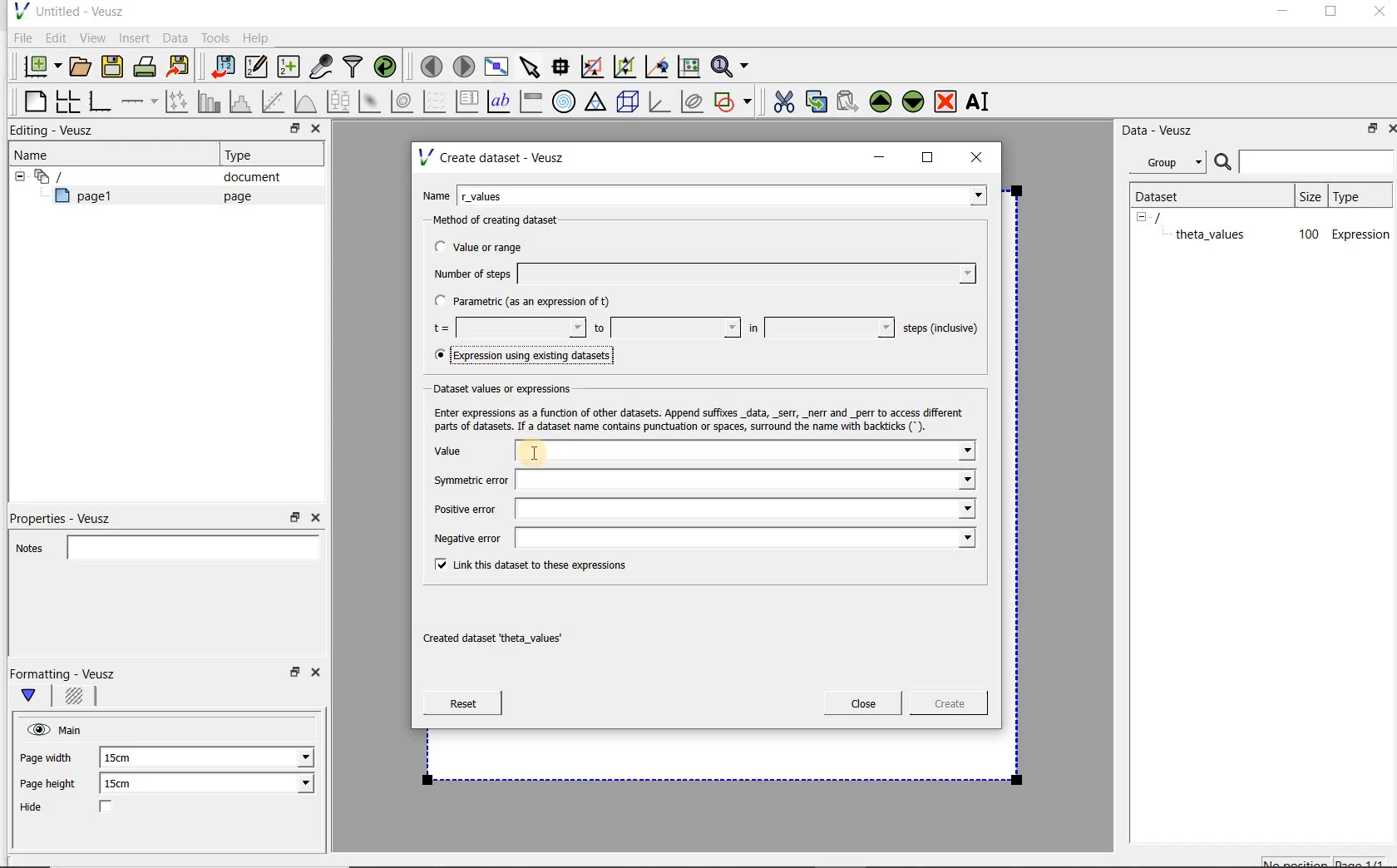  Describe the element at coordinates (914, 101) in the screenshot. I see `Move the selected widget down` at that location.